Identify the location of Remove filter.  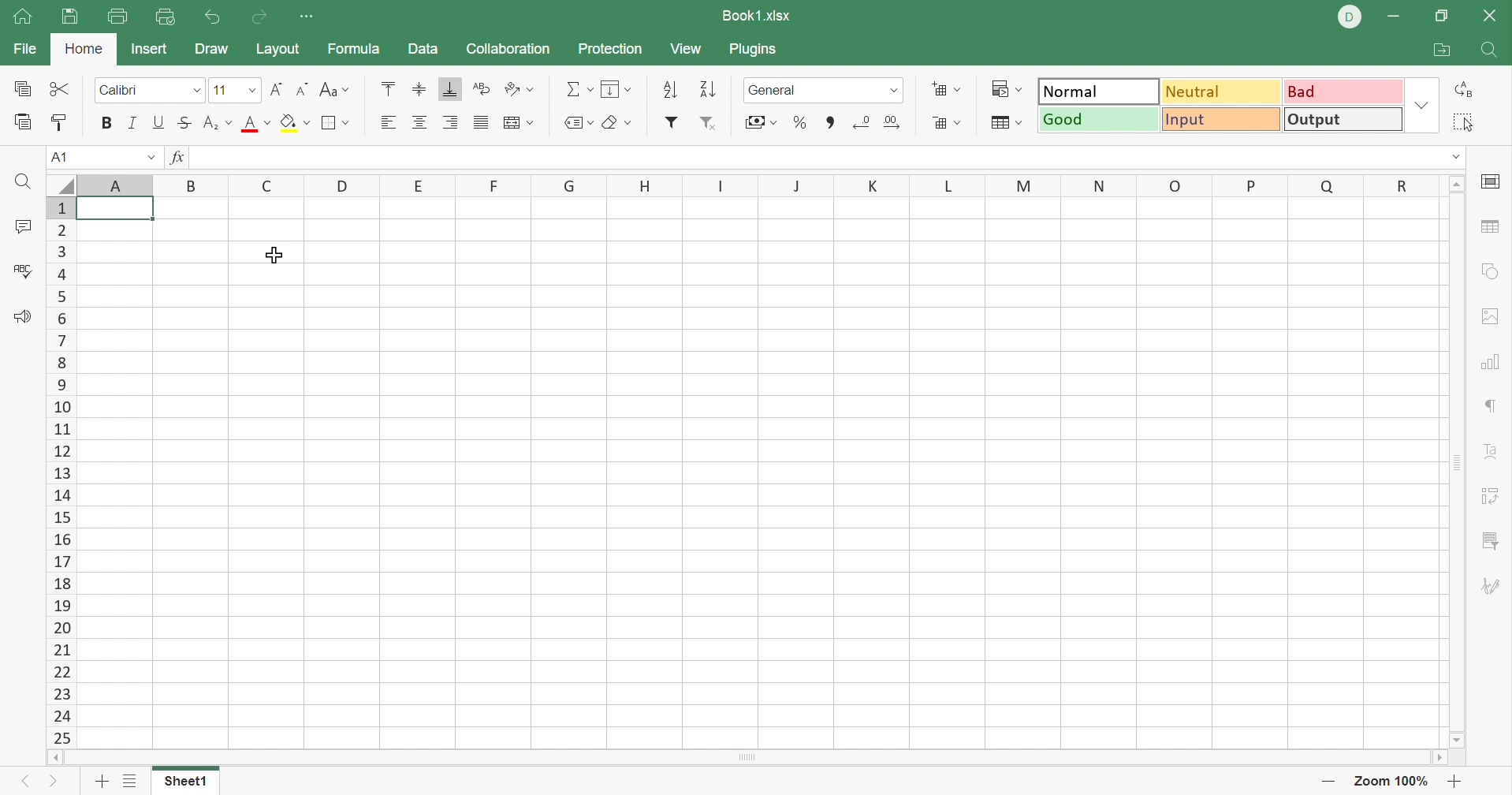
(710, 122).